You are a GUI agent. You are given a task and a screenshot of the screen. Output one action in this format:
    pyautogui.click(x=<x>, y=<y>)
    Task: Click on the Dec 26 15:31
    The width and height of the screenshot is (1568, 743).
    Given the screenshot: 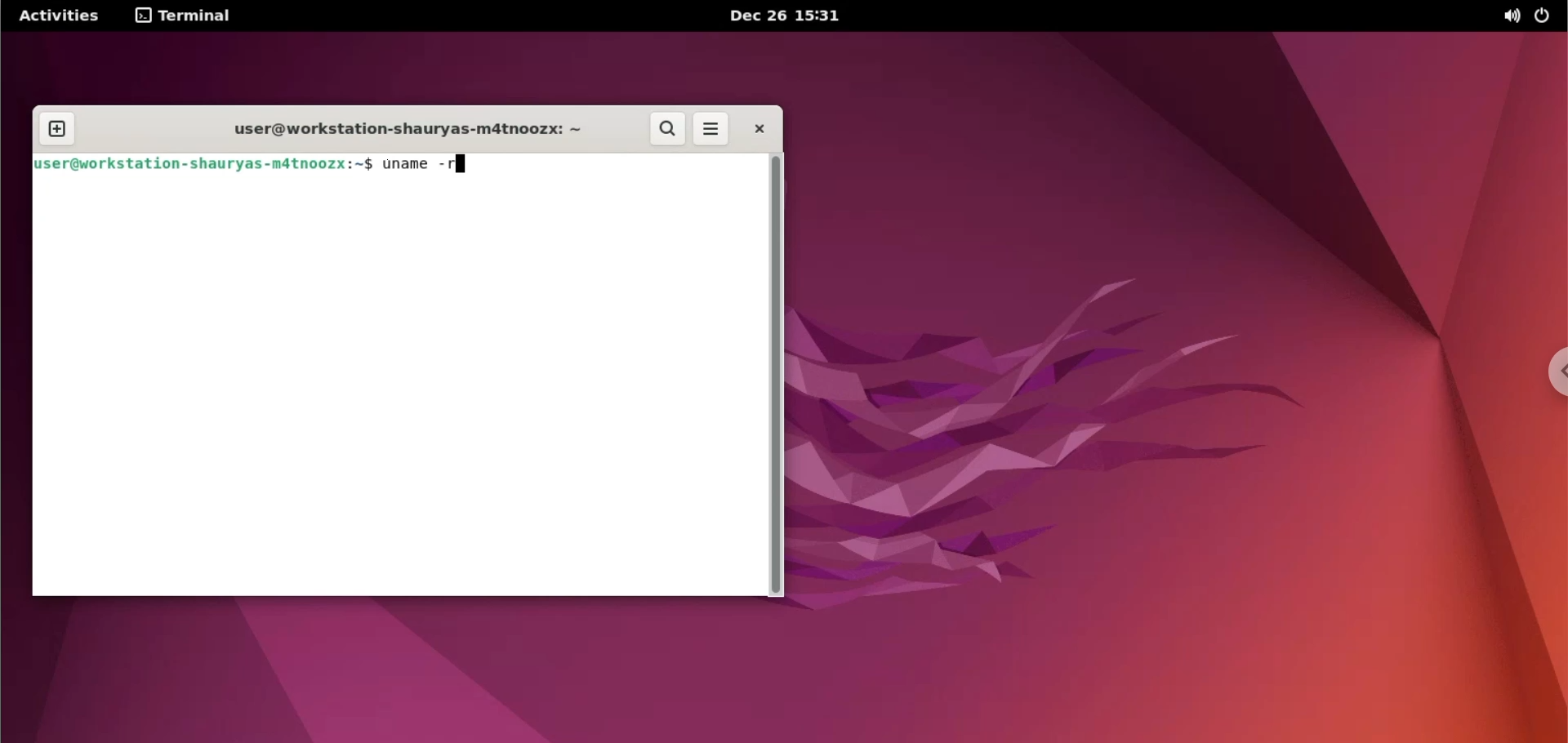 What is the action you would take?
    pyautogui.click(x=782, y=16)
    